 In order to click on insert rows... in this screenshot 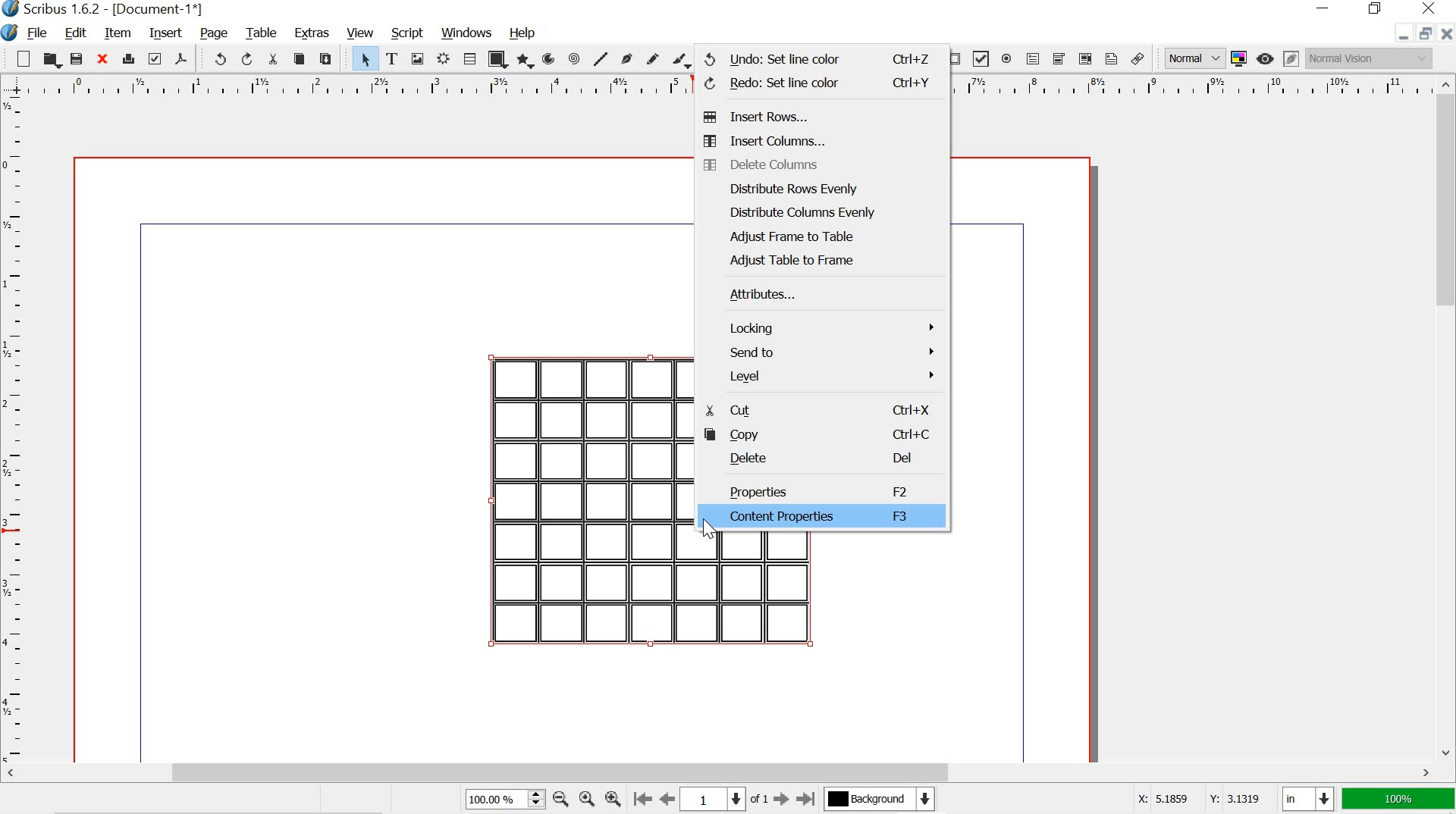, I will do `click(819, 115)`.